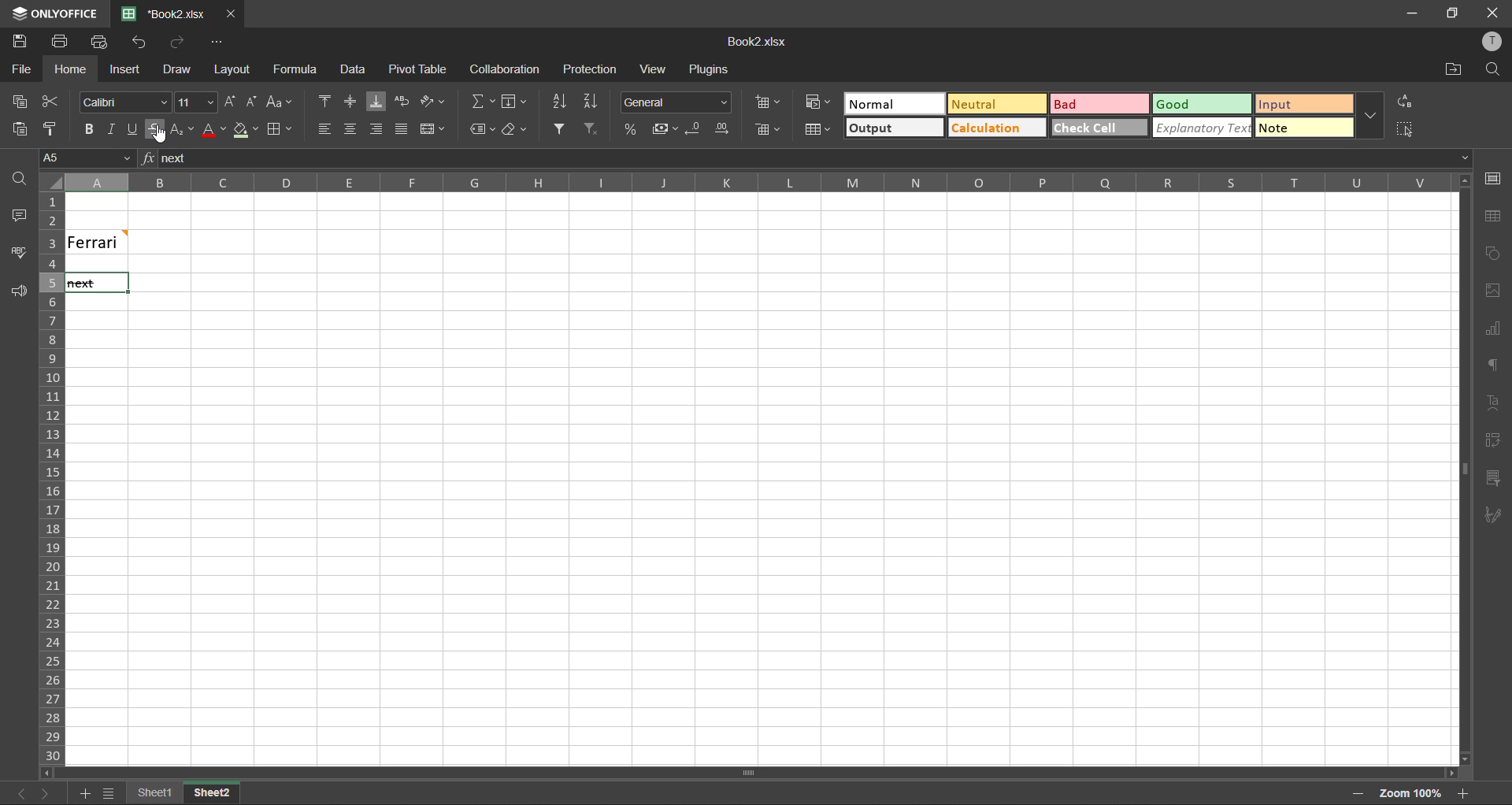 Image resolution: width=1512 pixels, height=805 pixels. Describe the element at coordinates (402, 129) in the screenshot. I see `justified` at that location.